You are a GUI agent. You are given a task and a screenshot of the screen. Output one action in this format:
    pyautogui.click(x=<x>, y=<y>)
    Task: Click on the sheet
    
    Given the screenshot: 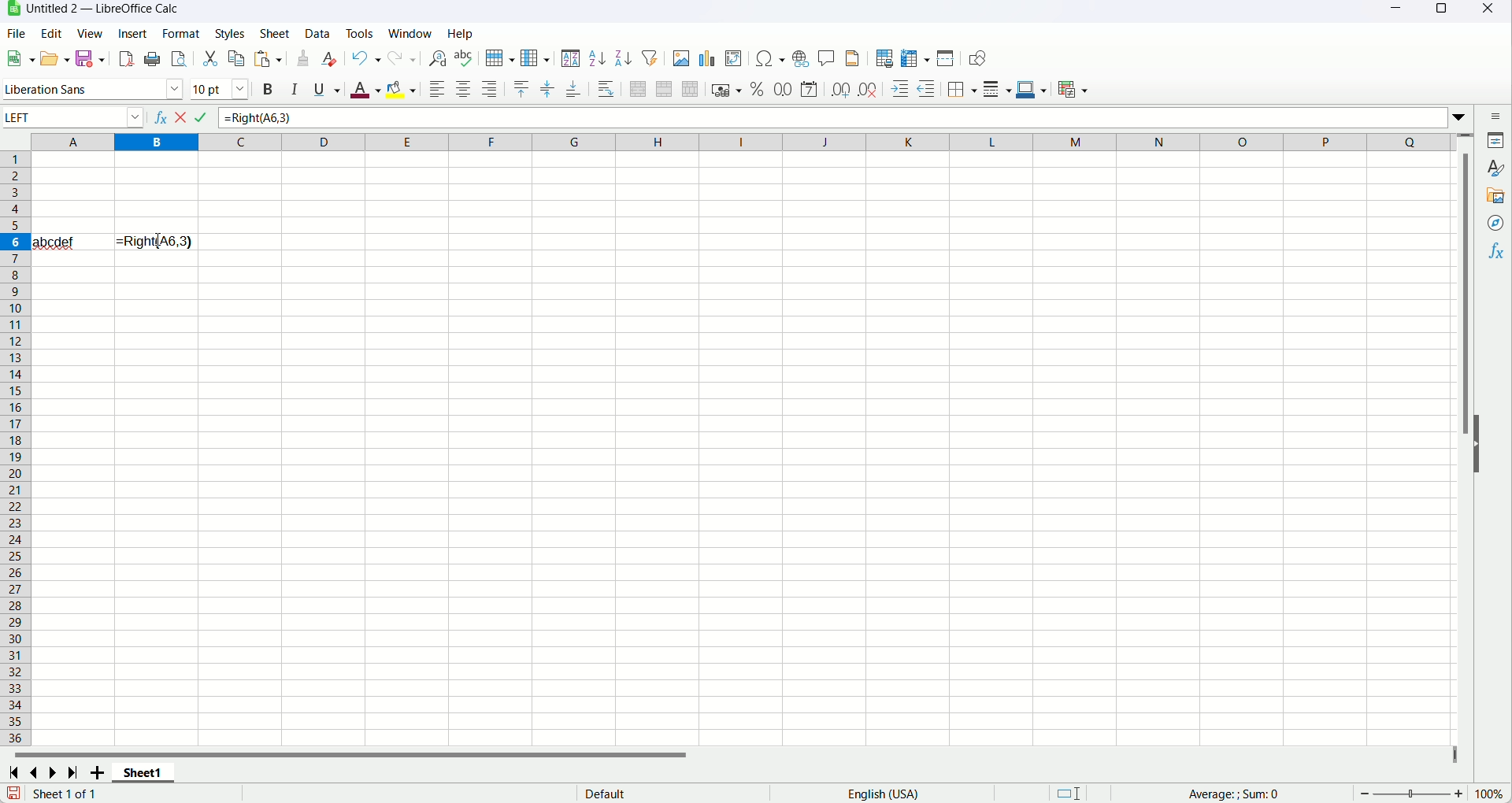 What is the action you would take?
    pyautogui.click(x=275, y=32)
    